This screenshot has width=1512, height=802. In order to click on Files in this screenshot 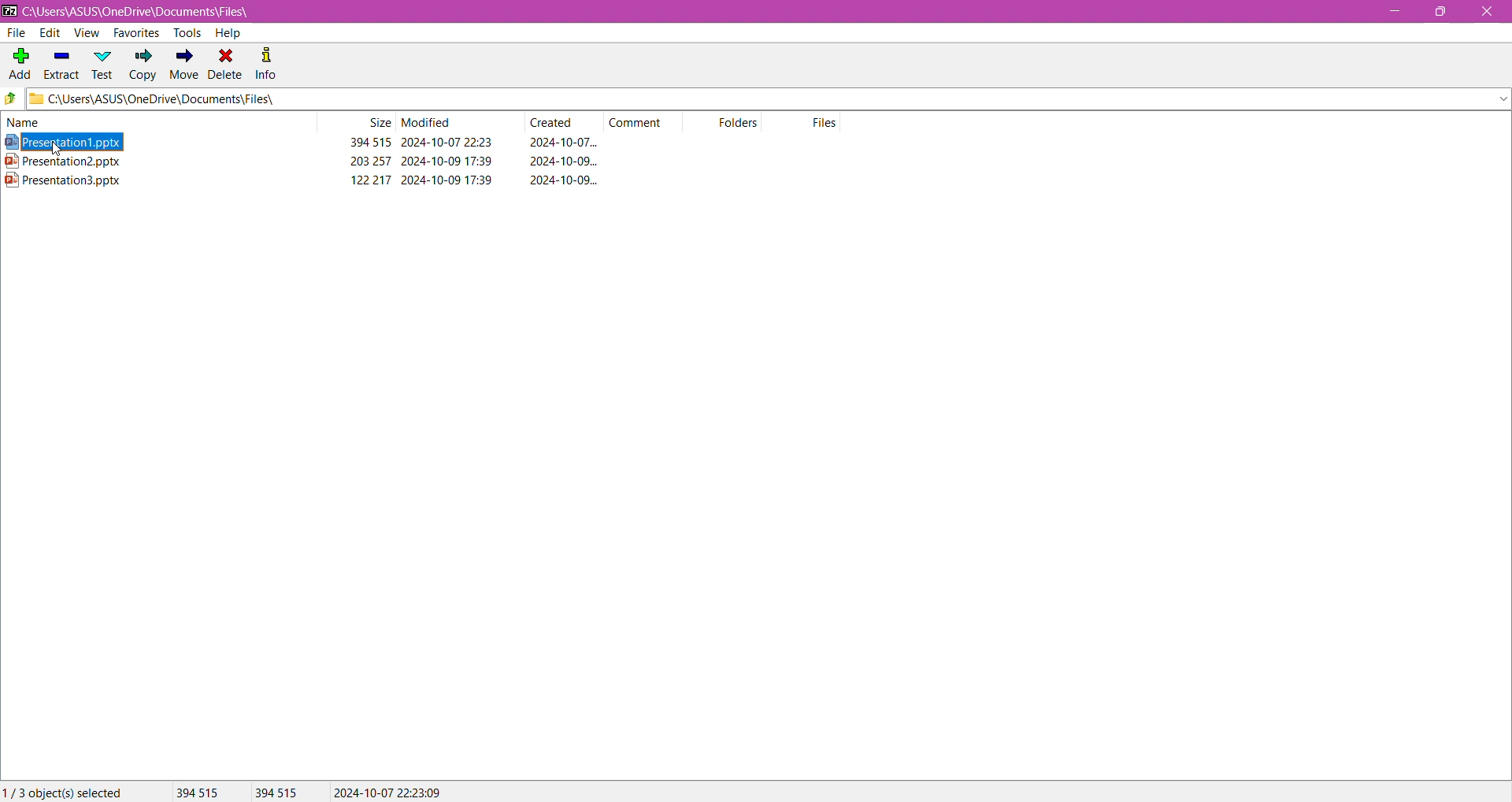, I will do `click(827, 122)`.